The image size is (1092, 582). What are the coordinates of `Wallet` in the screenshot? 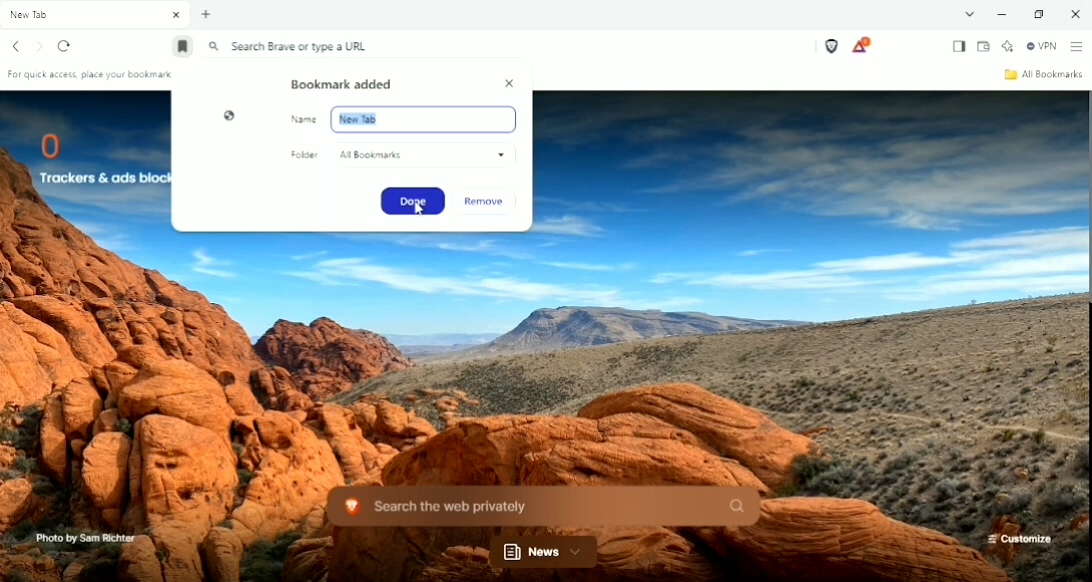 It's located at (984, 46).